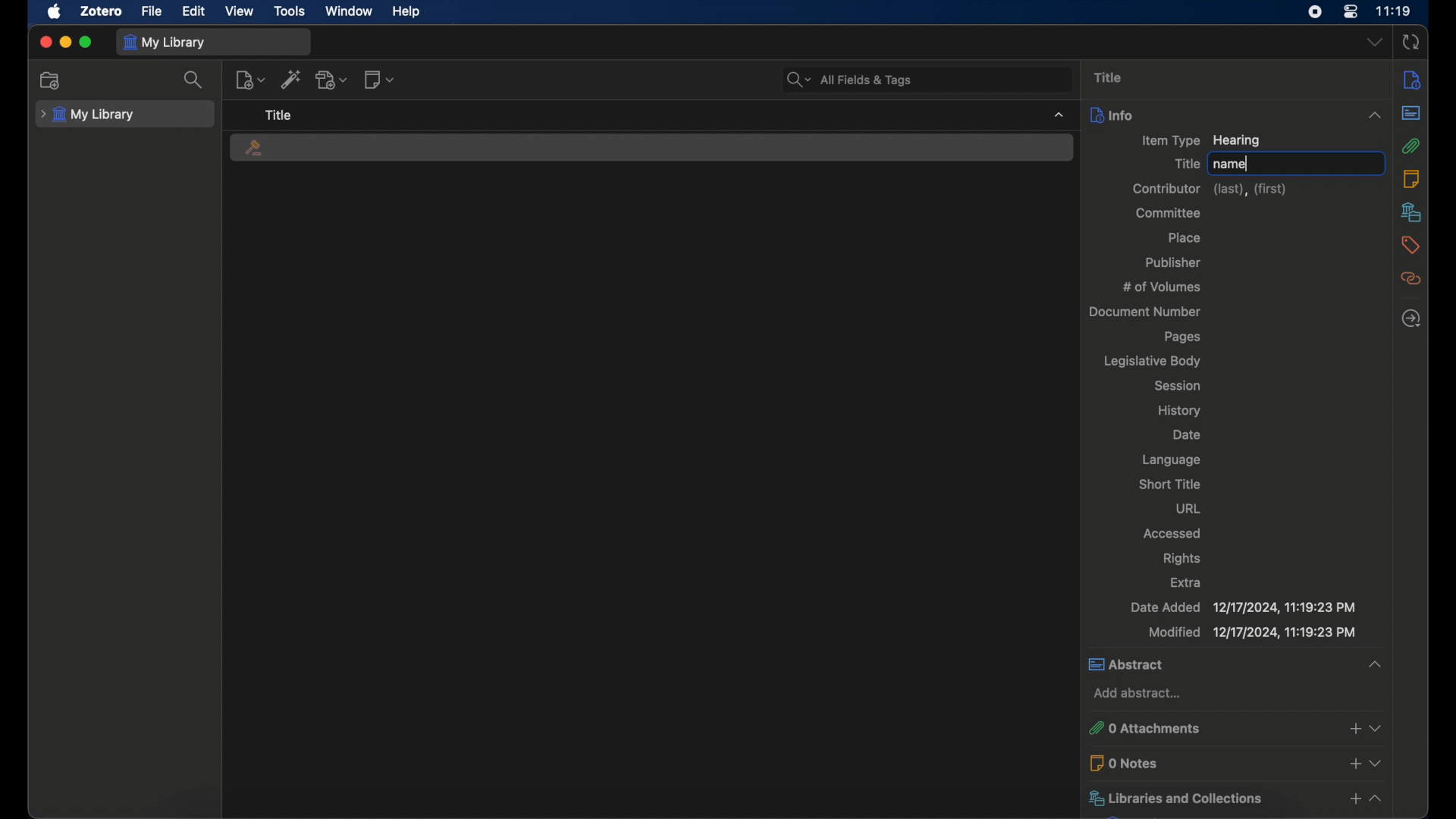 The width and height of the screenshot is (1456, 819). I want to click on attachments, so click(1411, 146).